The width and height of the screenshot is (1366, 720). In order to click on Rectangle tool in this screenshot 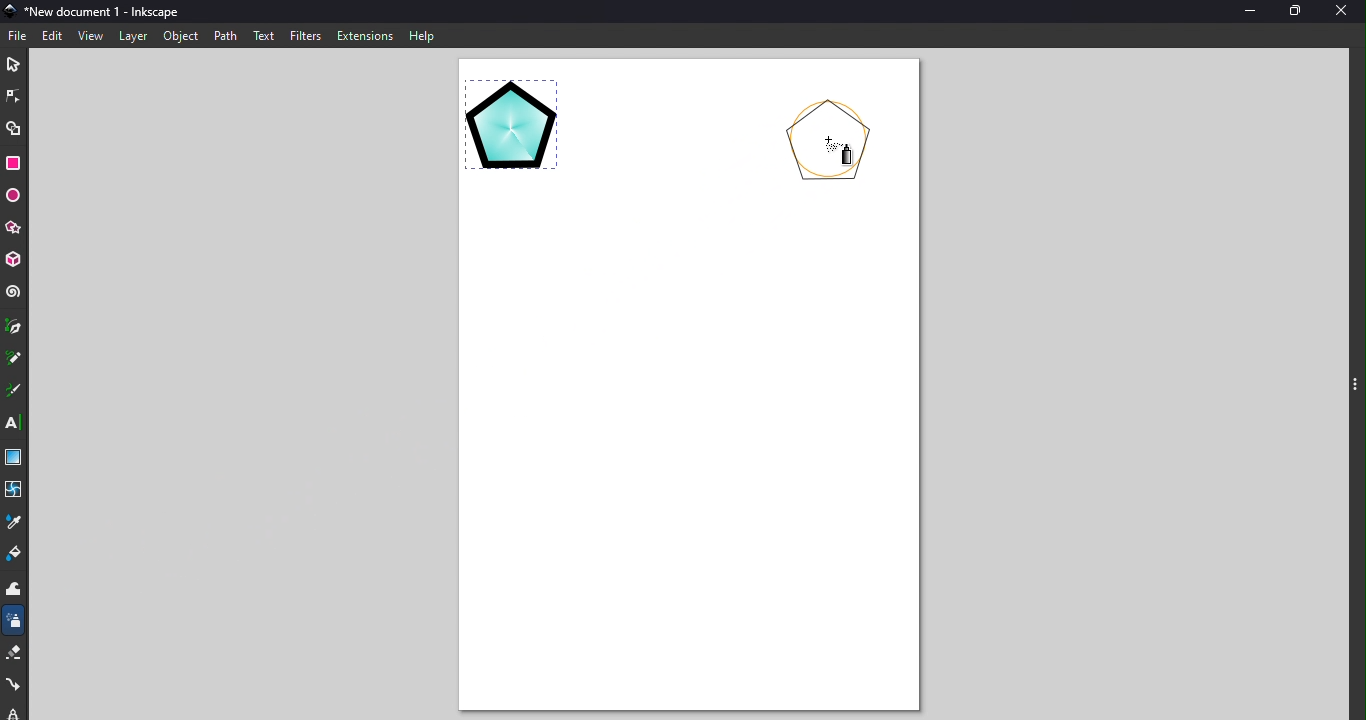, I will do `click(15, 165)`.